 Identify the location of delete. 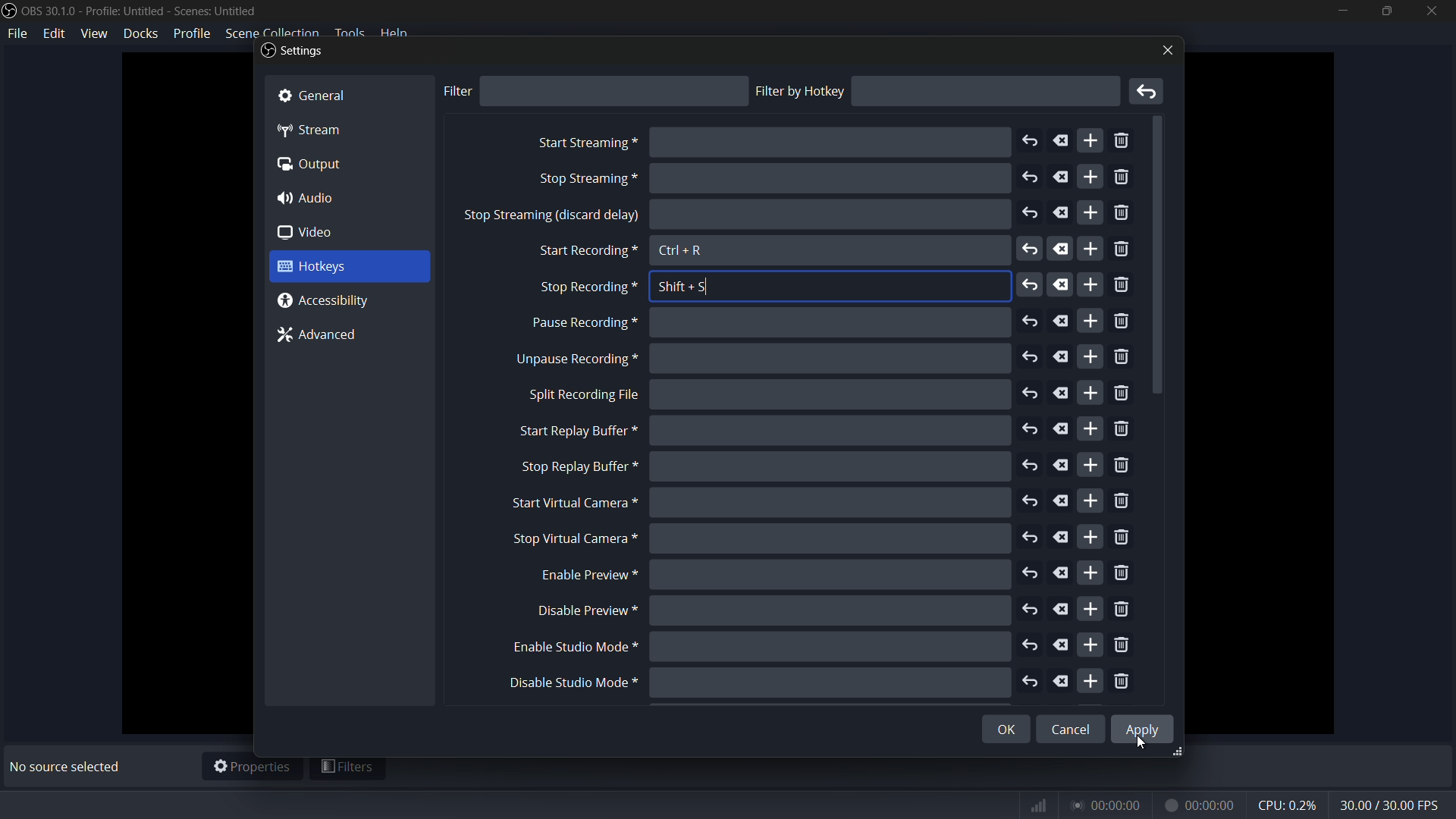
(1062, 610).